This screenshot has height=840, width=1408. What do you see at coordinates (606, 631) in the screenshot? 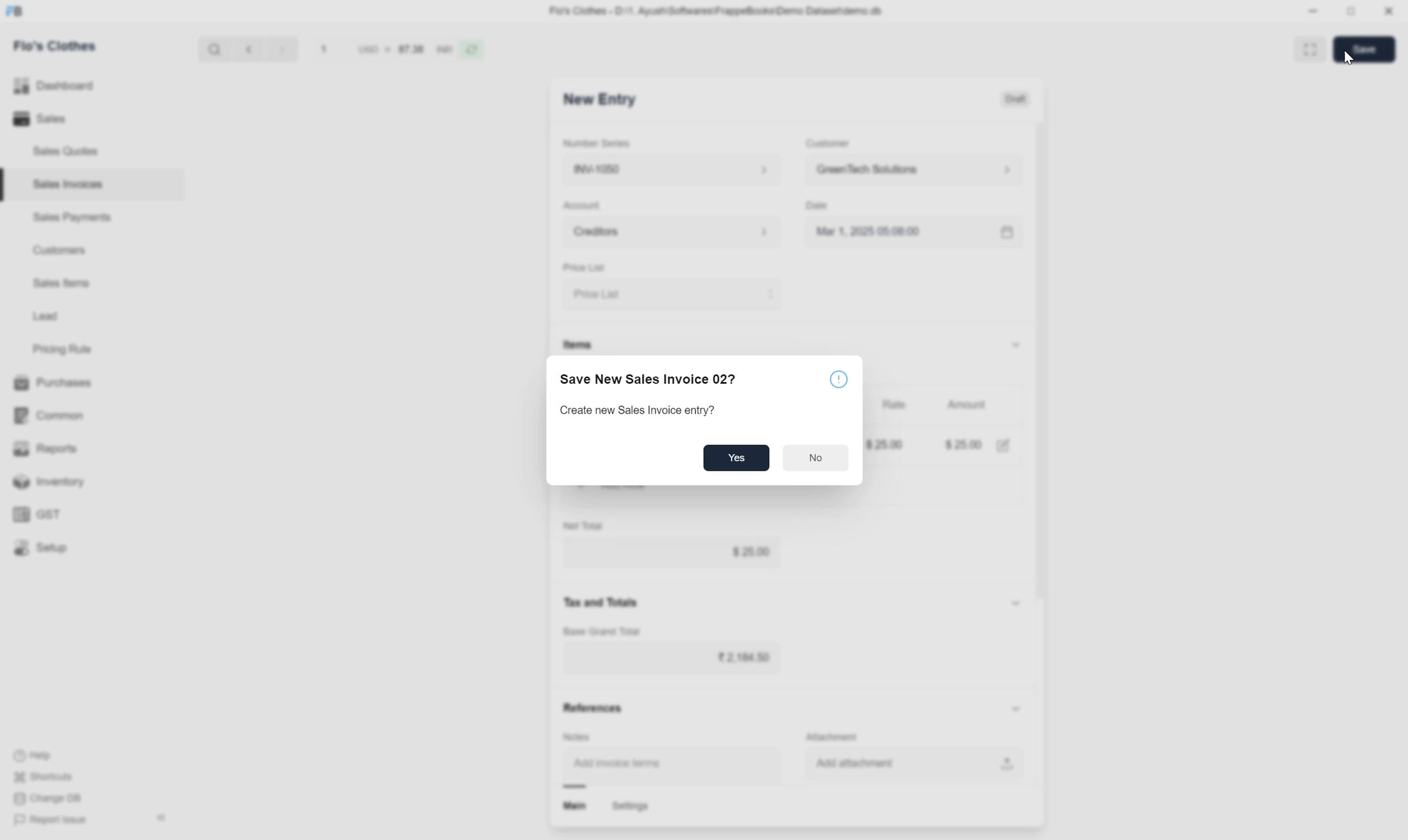
I see `base grand total` at bounding box center [606, 631].